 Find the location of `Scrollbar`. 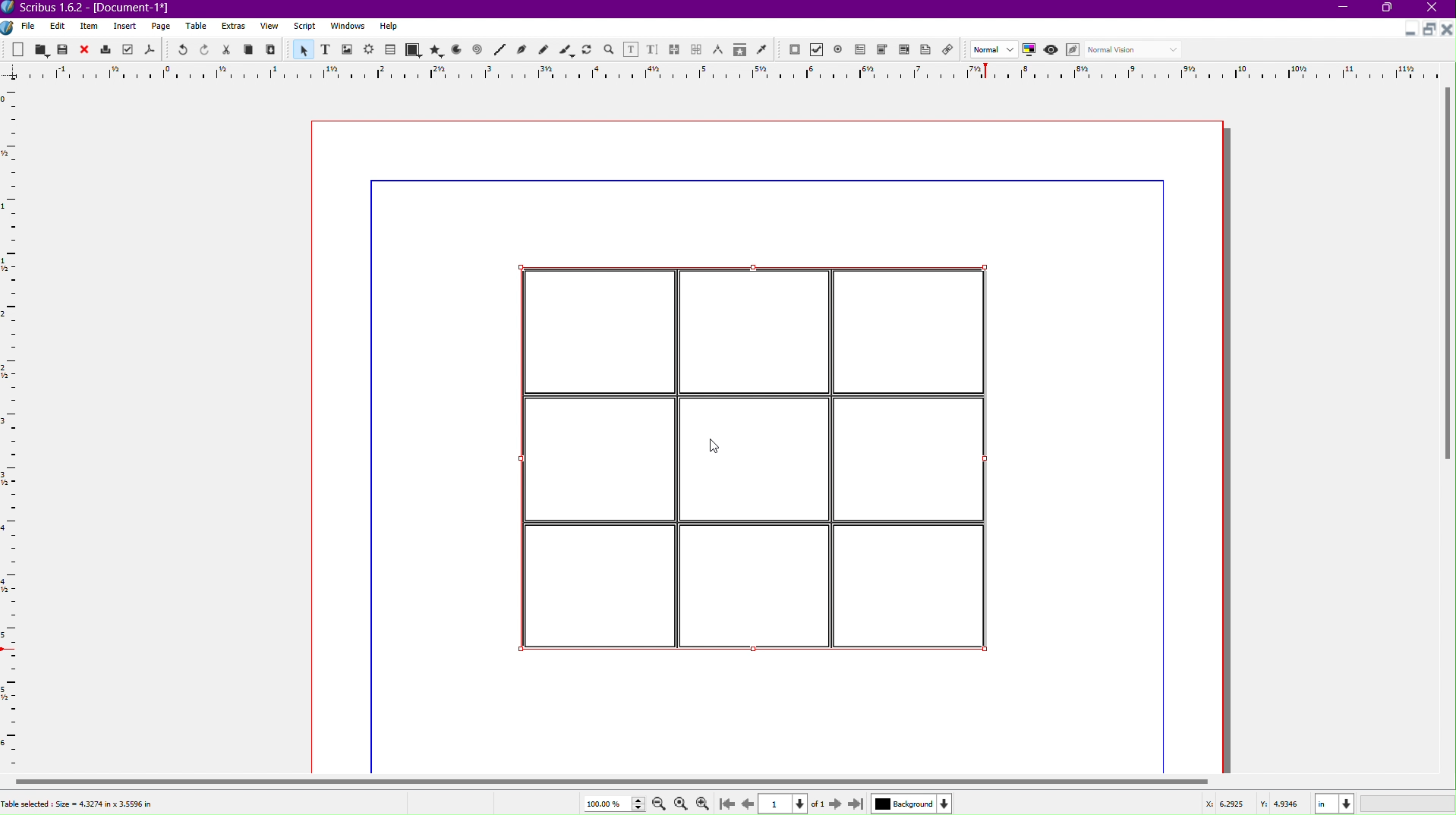

Scrollbar is located at coordinates (1446, 282).